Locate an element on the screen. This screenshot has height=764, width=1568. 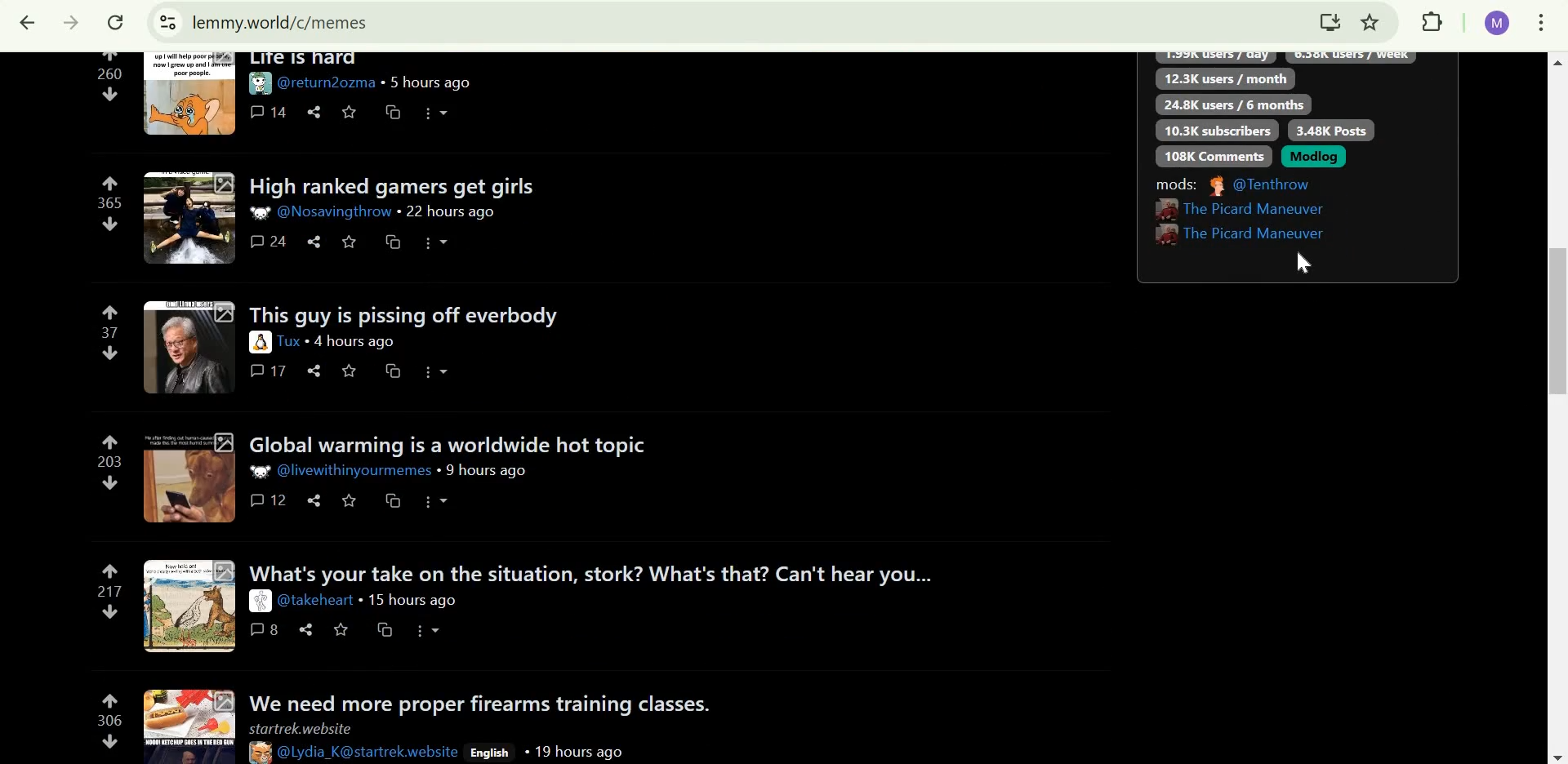
user ID is located at coordinates (327, 82).